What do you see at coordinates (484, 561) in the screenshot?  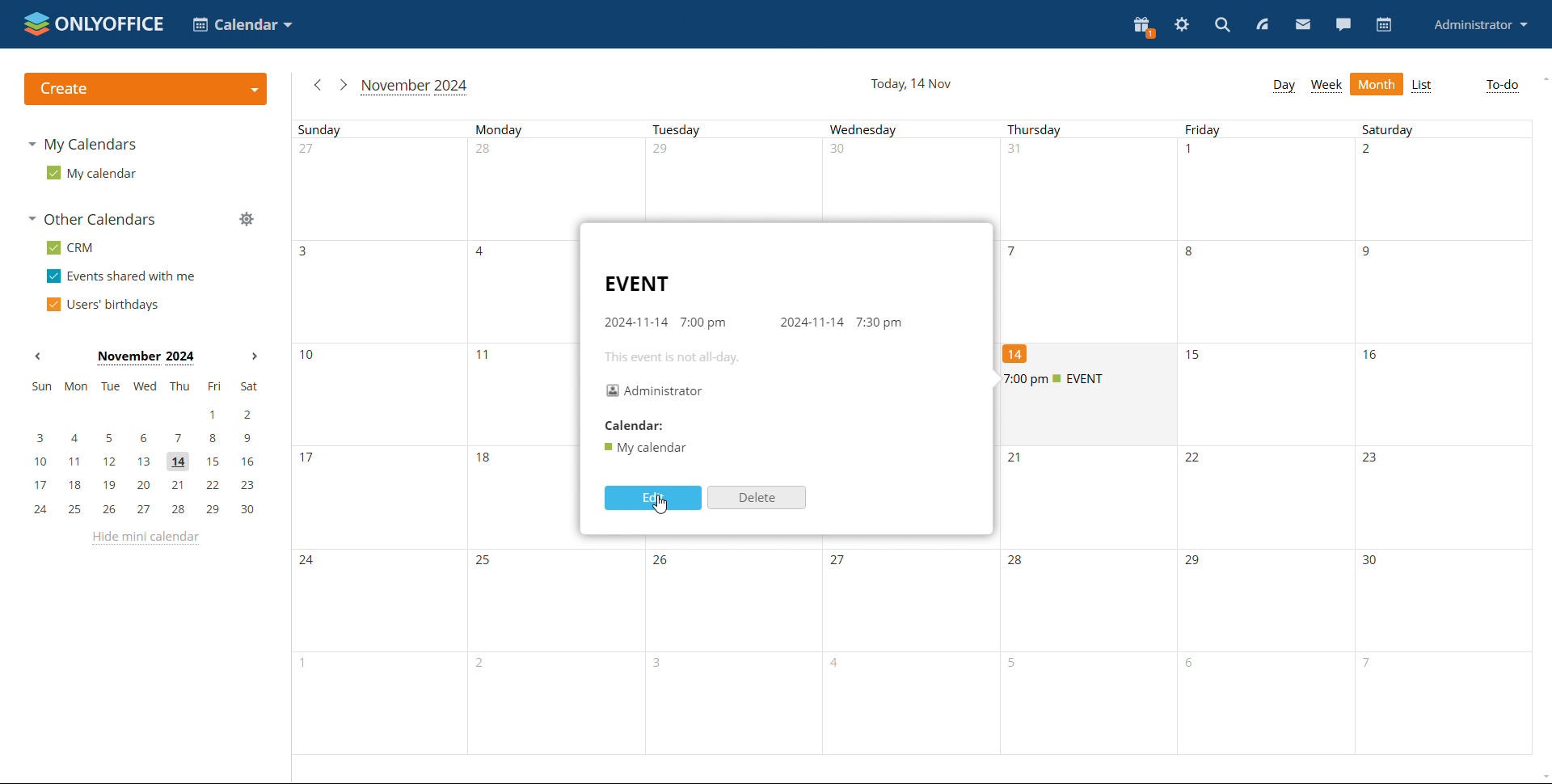 I see `number` at bounding box center [484, 561].